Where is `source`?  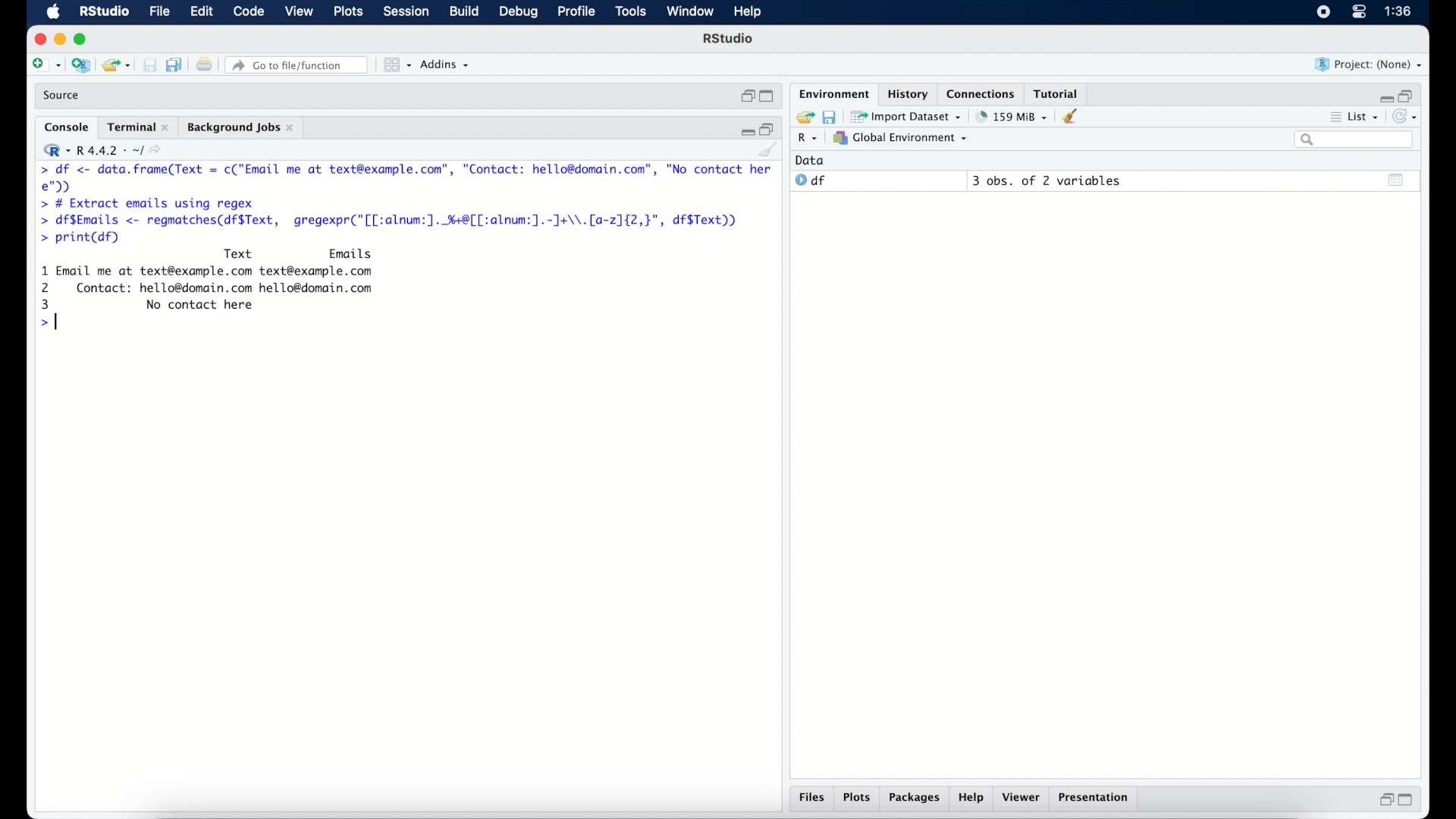
source is located at coordinates (64, 96).